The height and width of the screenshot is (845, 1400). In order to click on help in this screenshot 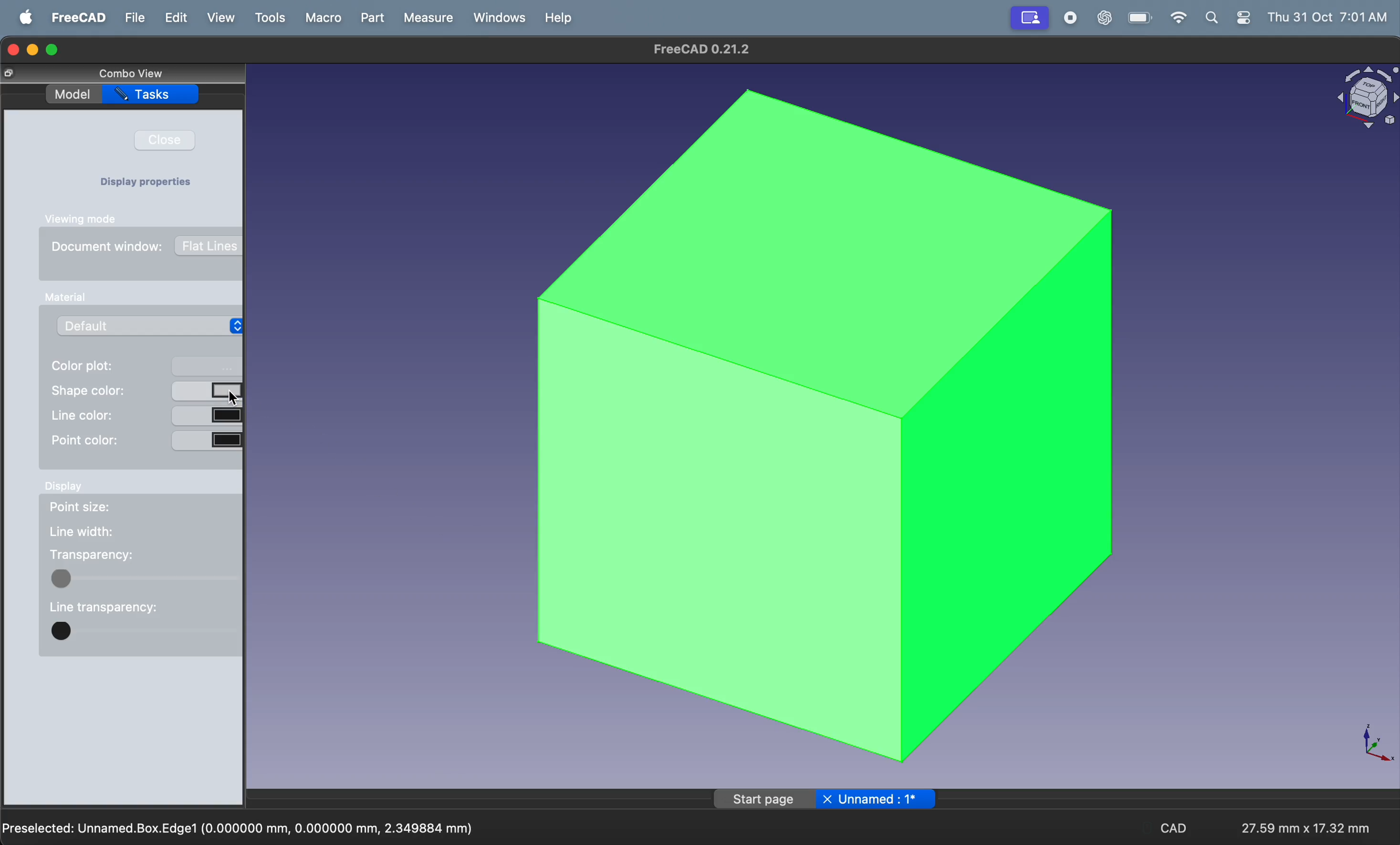, I will do `click(558, 17)`.